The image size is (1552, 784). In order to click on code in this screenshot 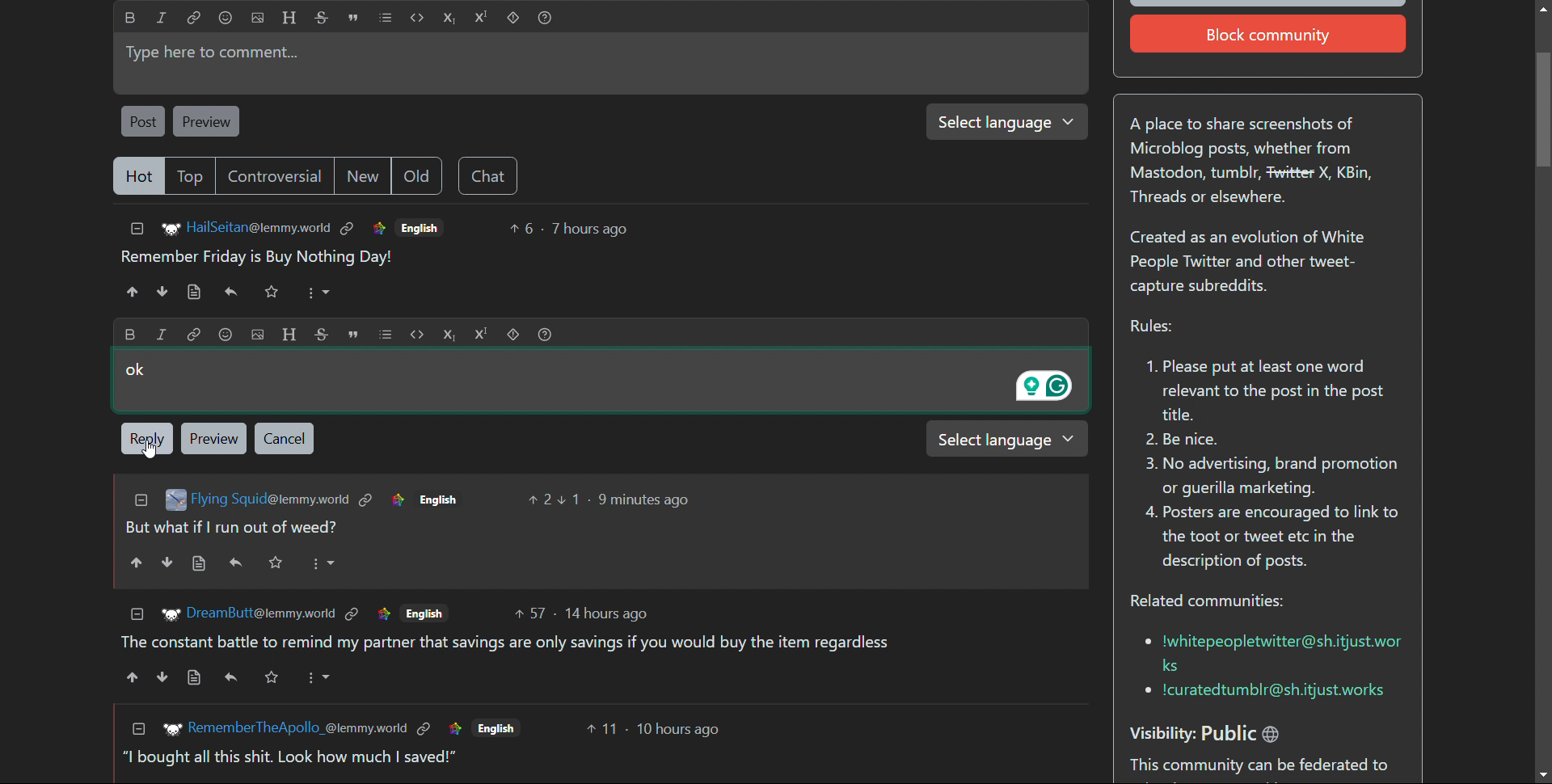, I will do `click(413, 331)`.